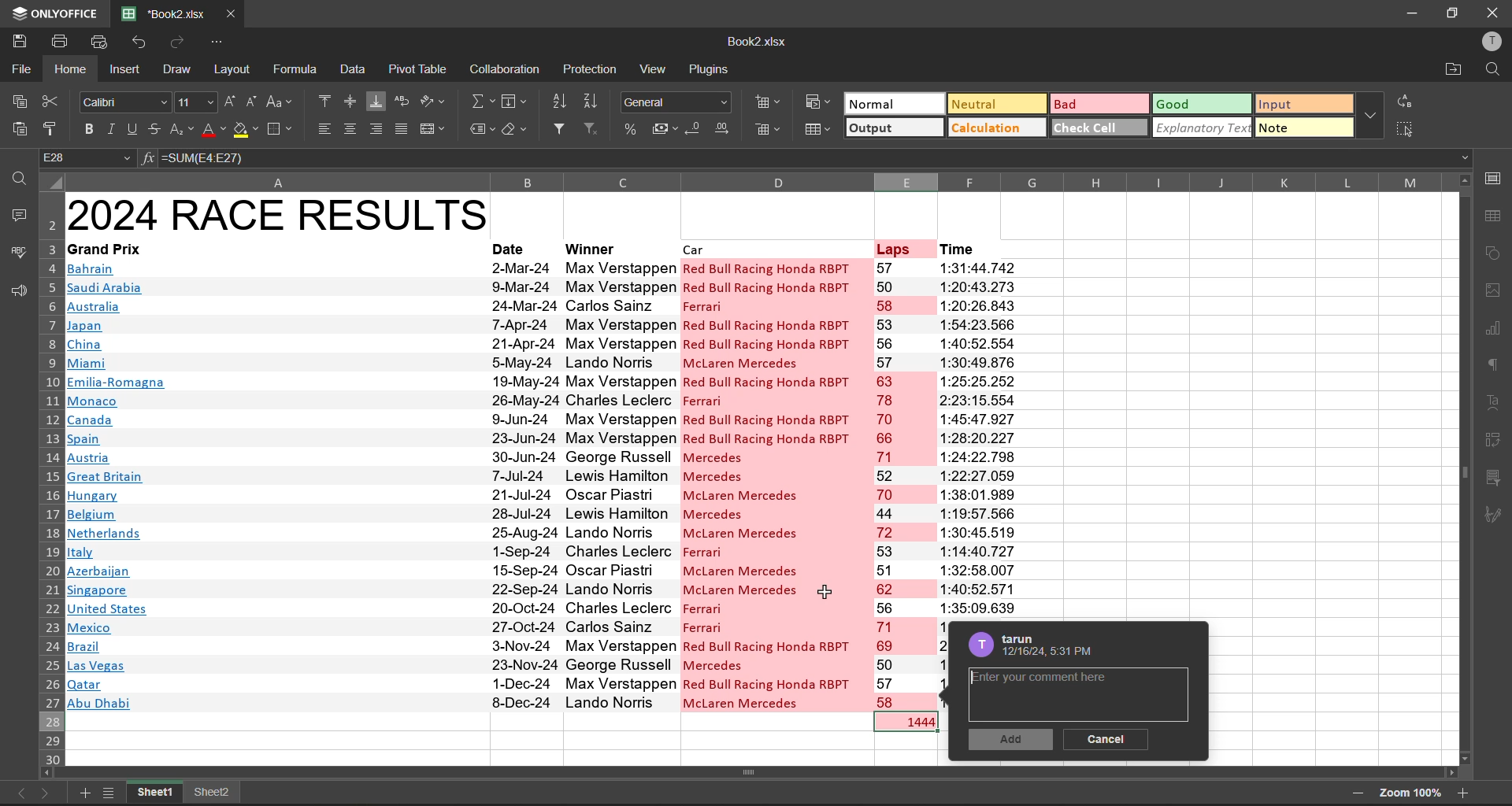 The image size is (1512, 806). I want to click on images, so click(1492, 290).